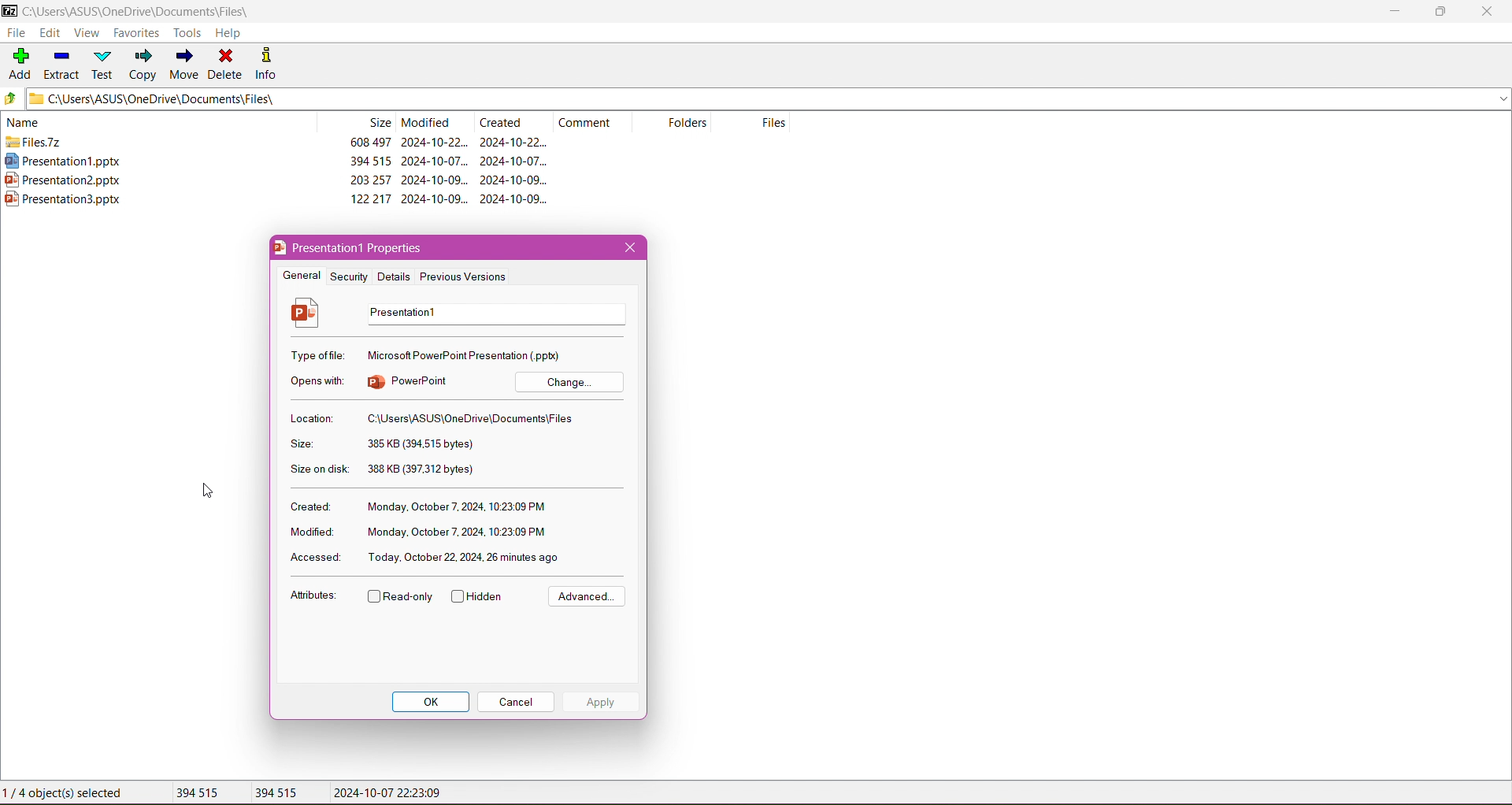 The width and height of the screenshot is (1512, 805). What do you see at coordinates (427, 122) in the screenshot?
I see `modified` at bounding box center [427, 122].